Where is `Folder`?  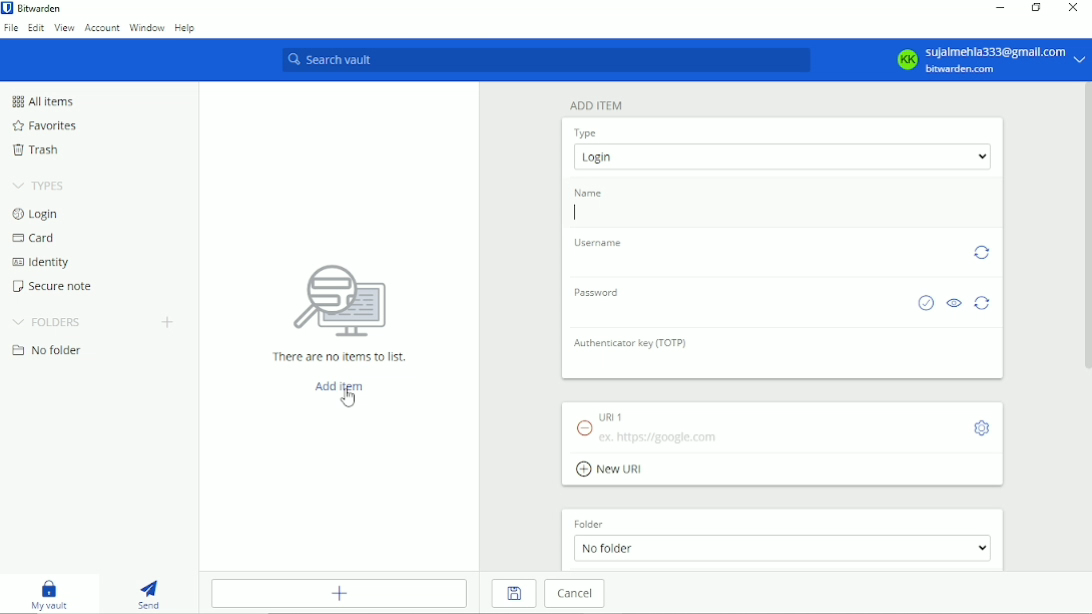
Folder is located at coordinates (586, 524).